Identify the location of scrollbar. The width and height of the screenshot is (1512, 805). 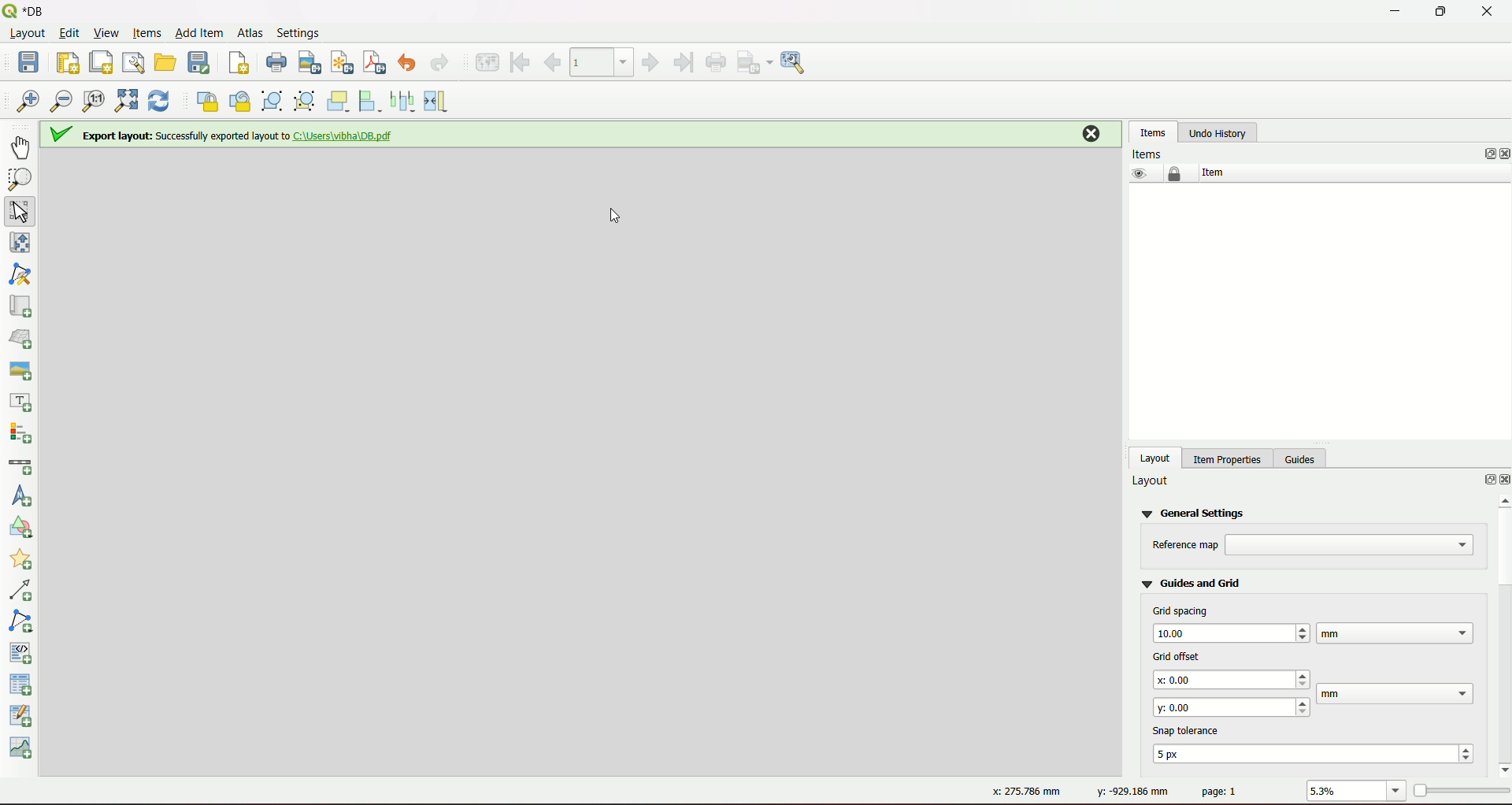
(1501, 633).